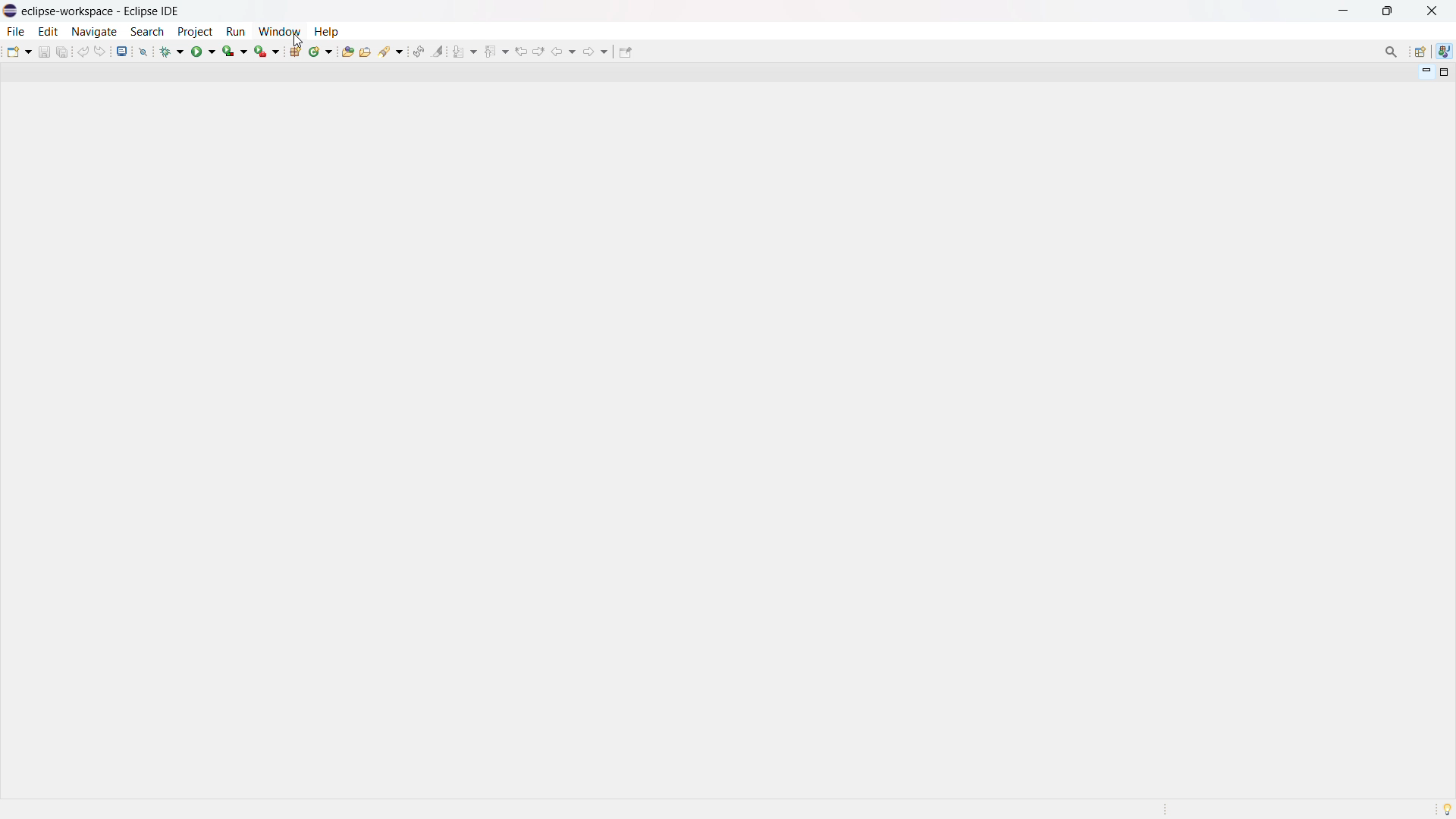 The image size is (1456, 819). Describe the element at coordinates (44, 52) in the screenshot. I see `save` at that location.